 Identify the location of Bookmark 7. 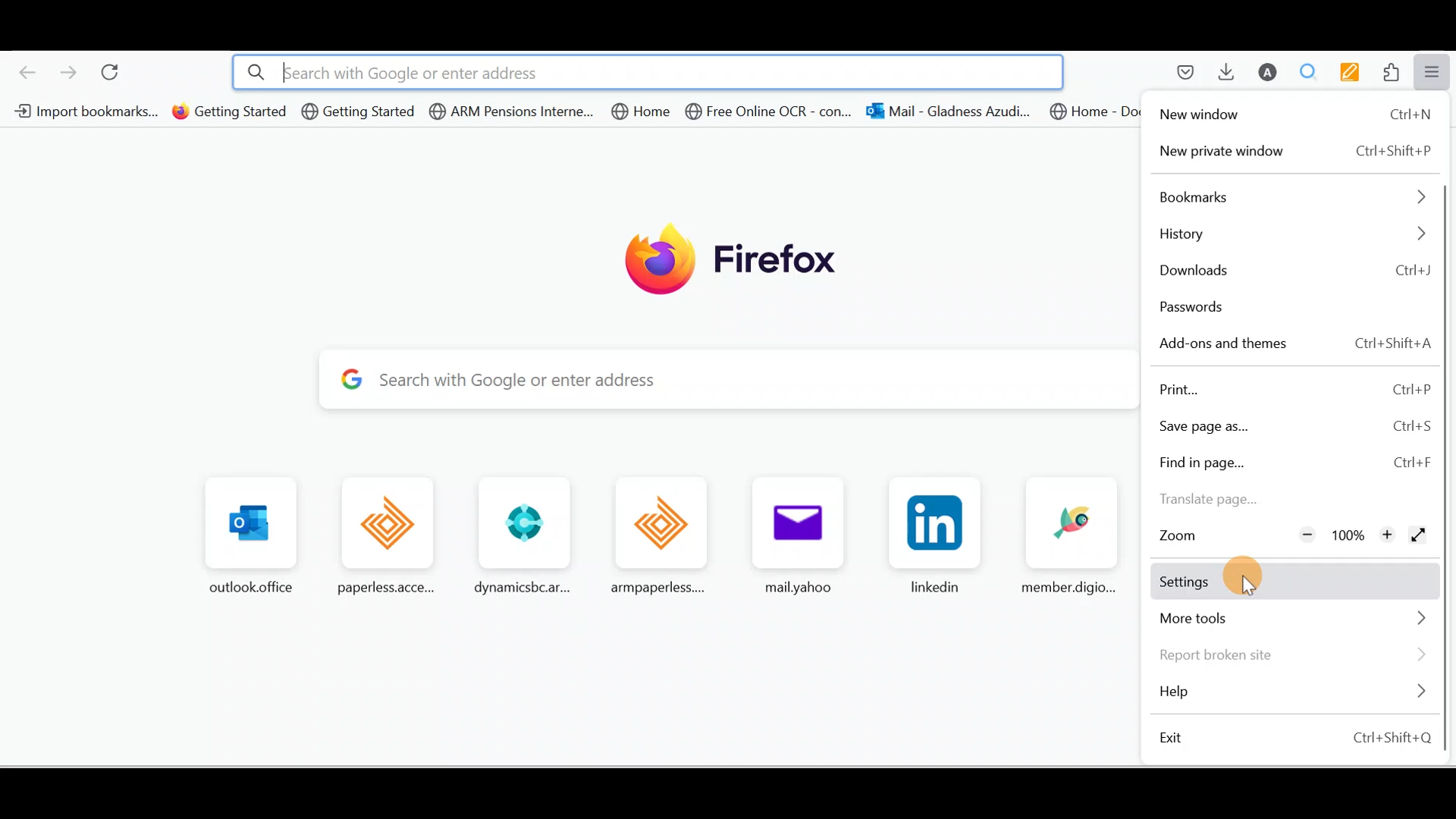
(947, 111).